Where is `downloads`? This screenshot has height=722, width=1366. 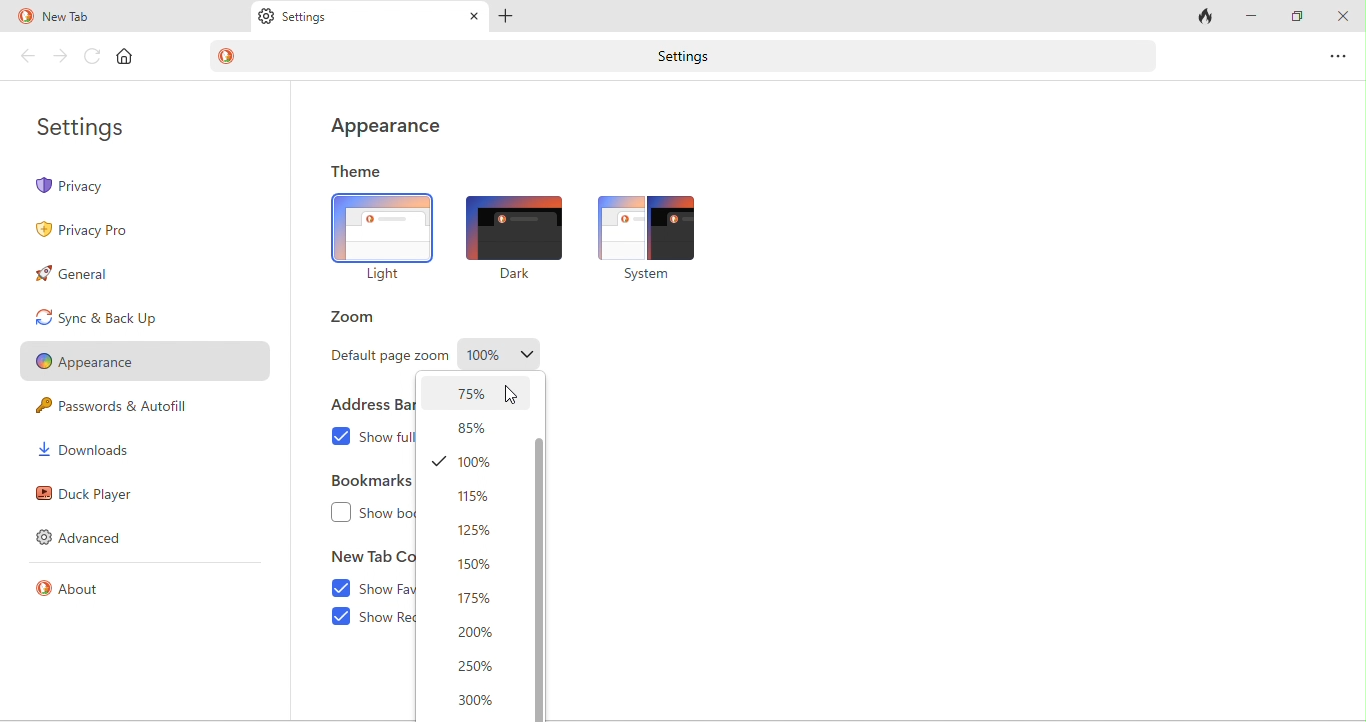 downloads is located at coordinates (84, 450).